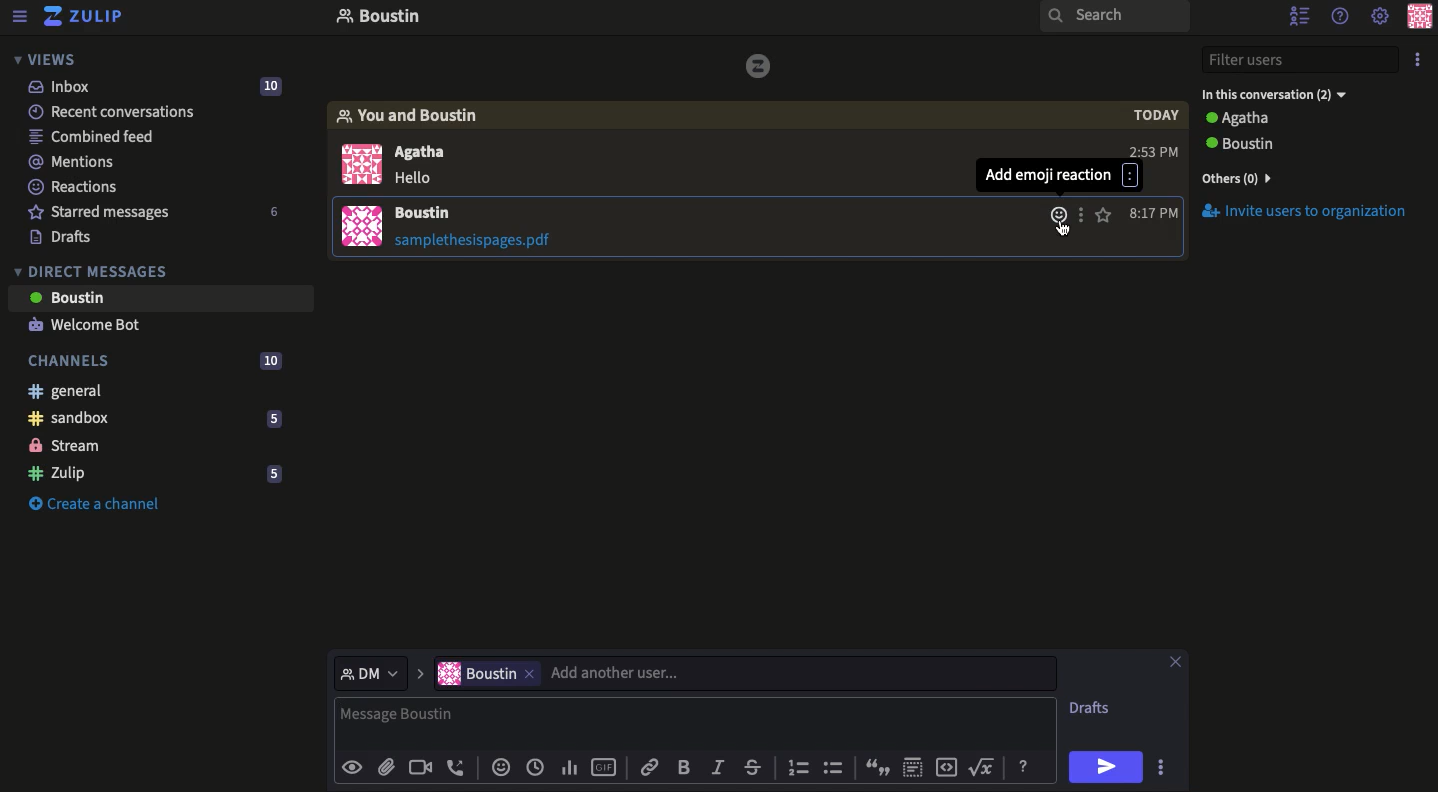  Describe the element at coordinates (159, 360) in the screenshot. I see `Channels` at that location.